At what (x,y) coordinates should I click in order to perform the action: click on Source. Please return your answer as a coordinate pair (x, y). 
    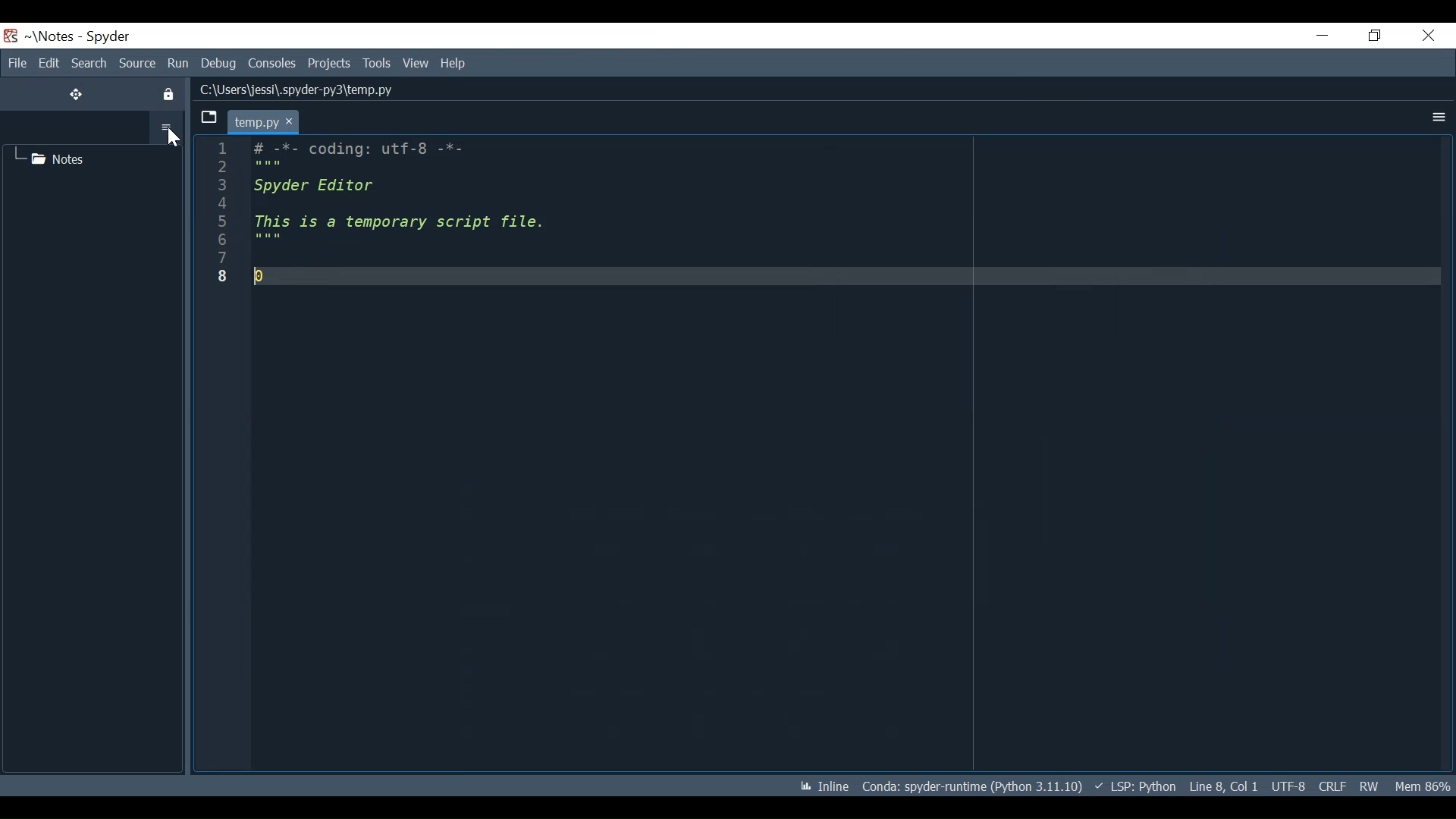
    Looking at the image, I should click on (137, 64).